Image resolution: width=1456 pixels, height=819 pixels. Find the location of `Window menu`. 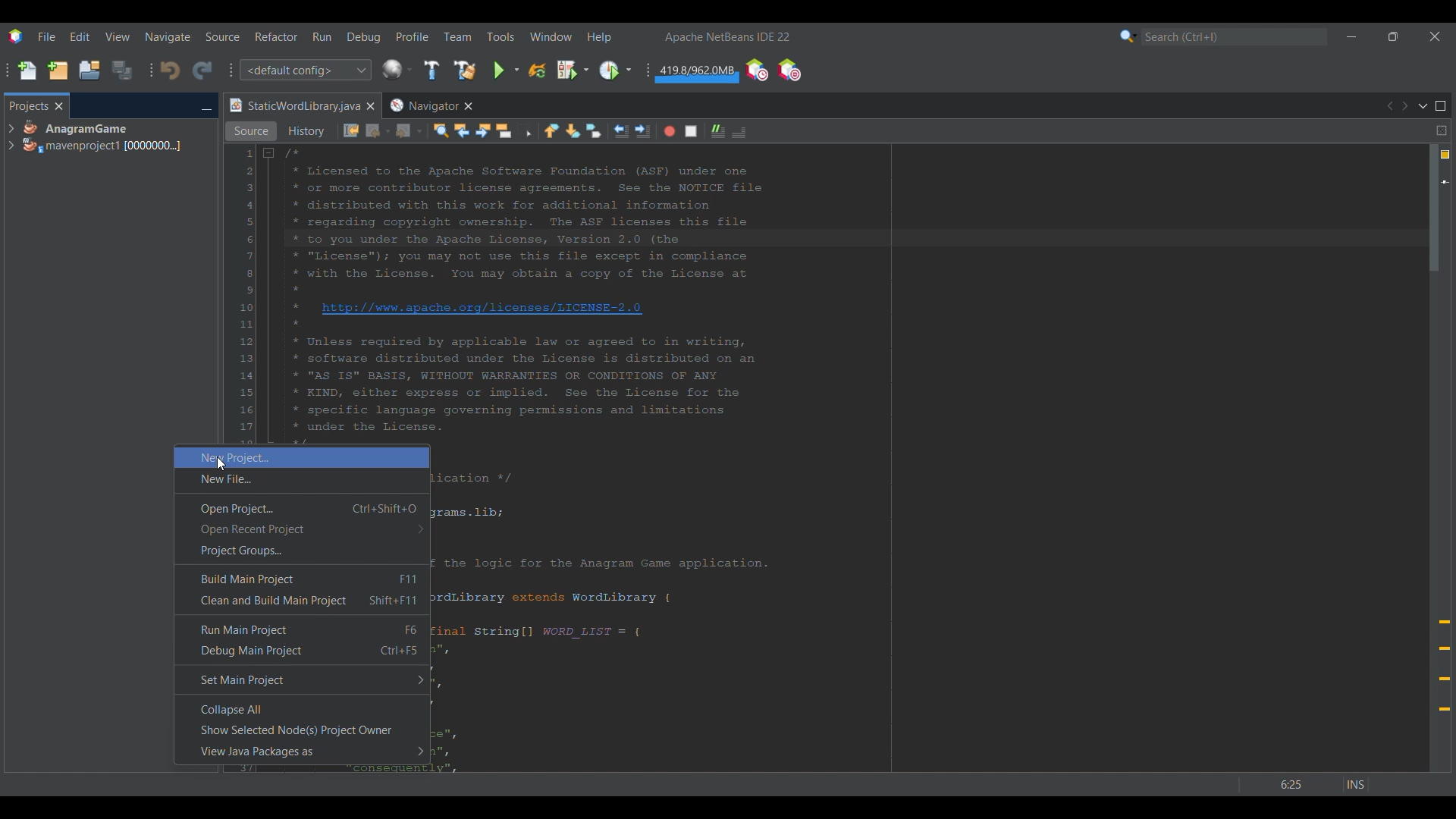

Window menu is located at coordinates (551, 36).